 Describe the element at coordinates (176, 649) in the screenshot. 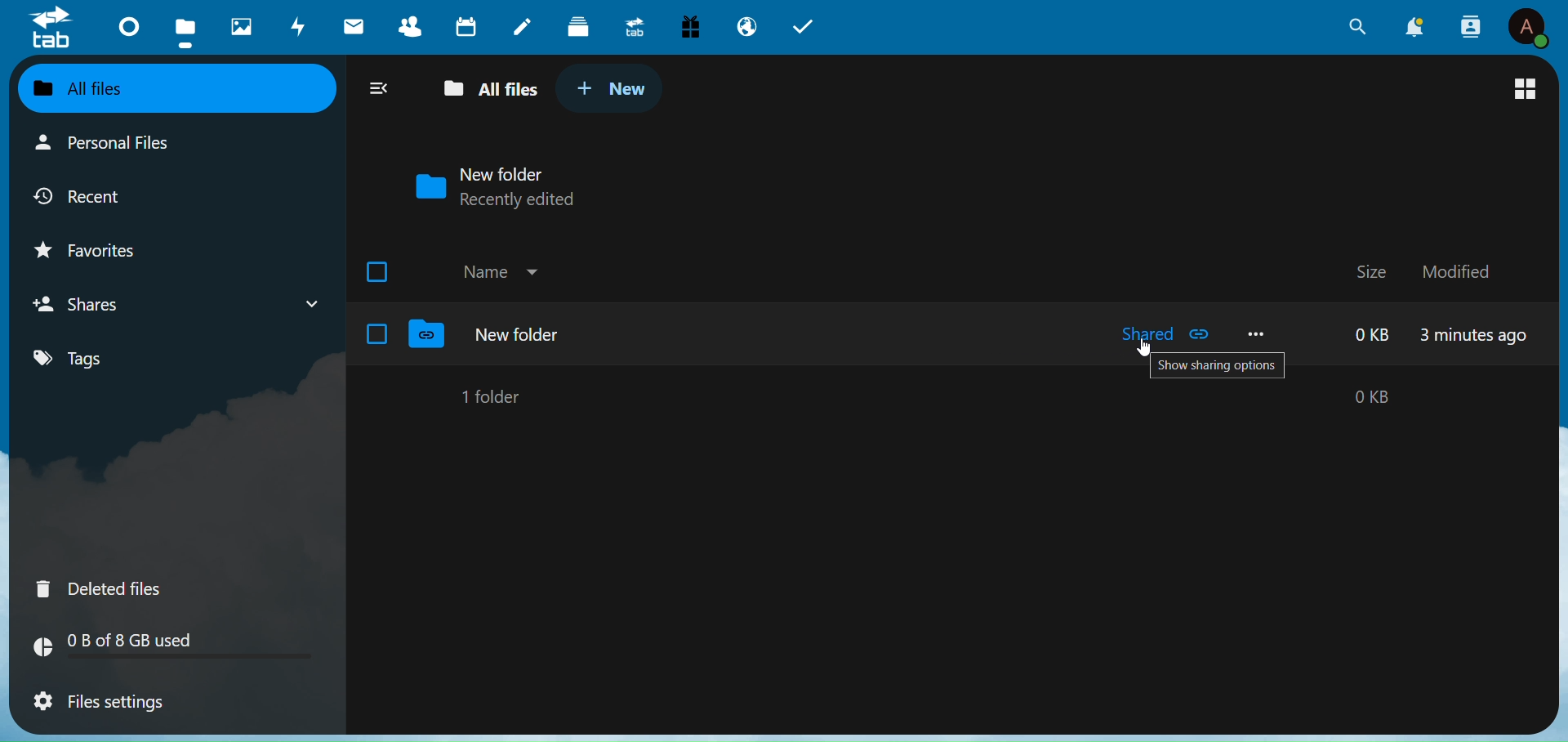

I see `GB Used` at that location.